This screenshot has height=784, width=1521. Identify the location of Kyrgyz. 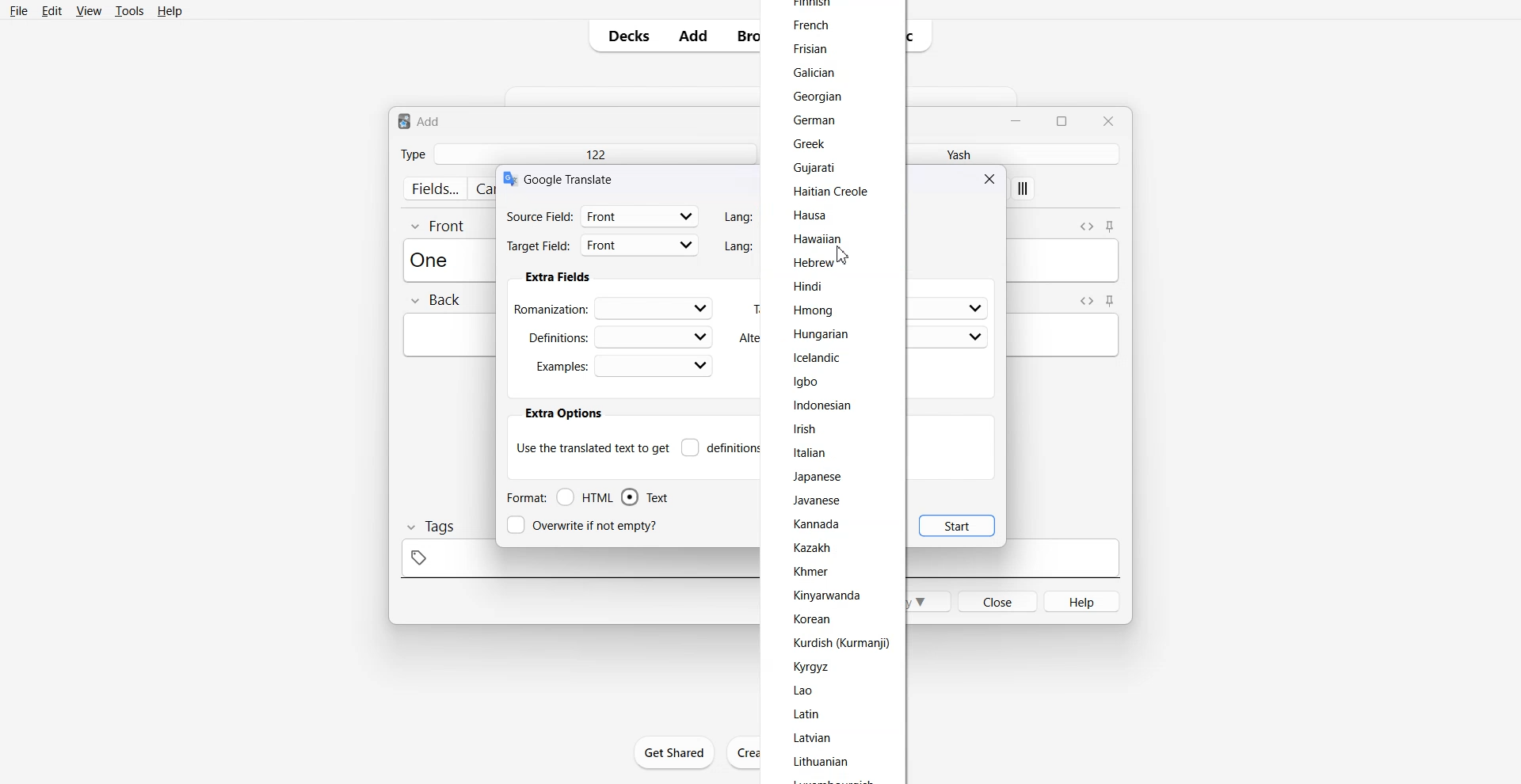
(811, 667).